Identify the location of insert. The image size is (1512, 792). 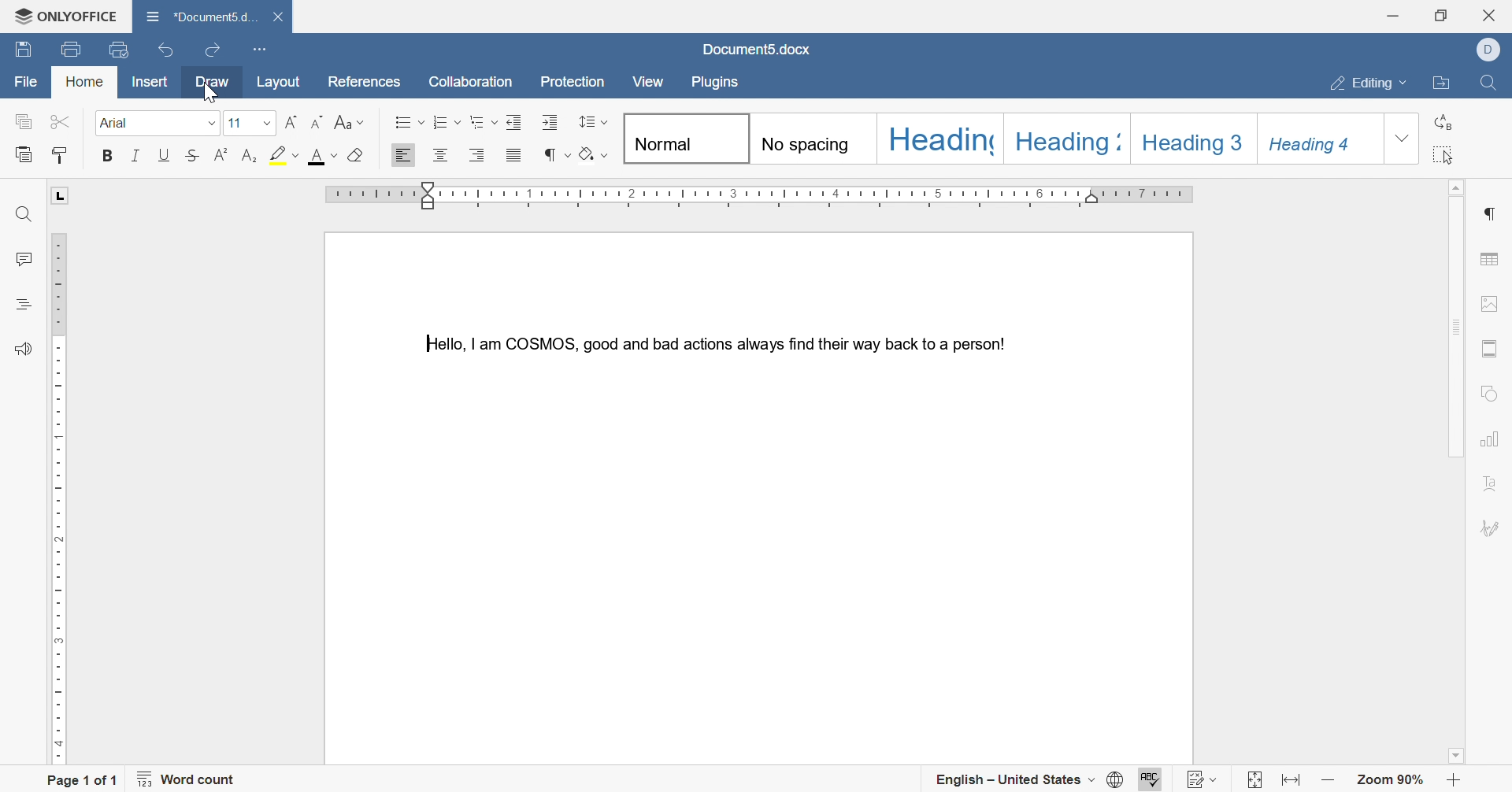
(158, 83).